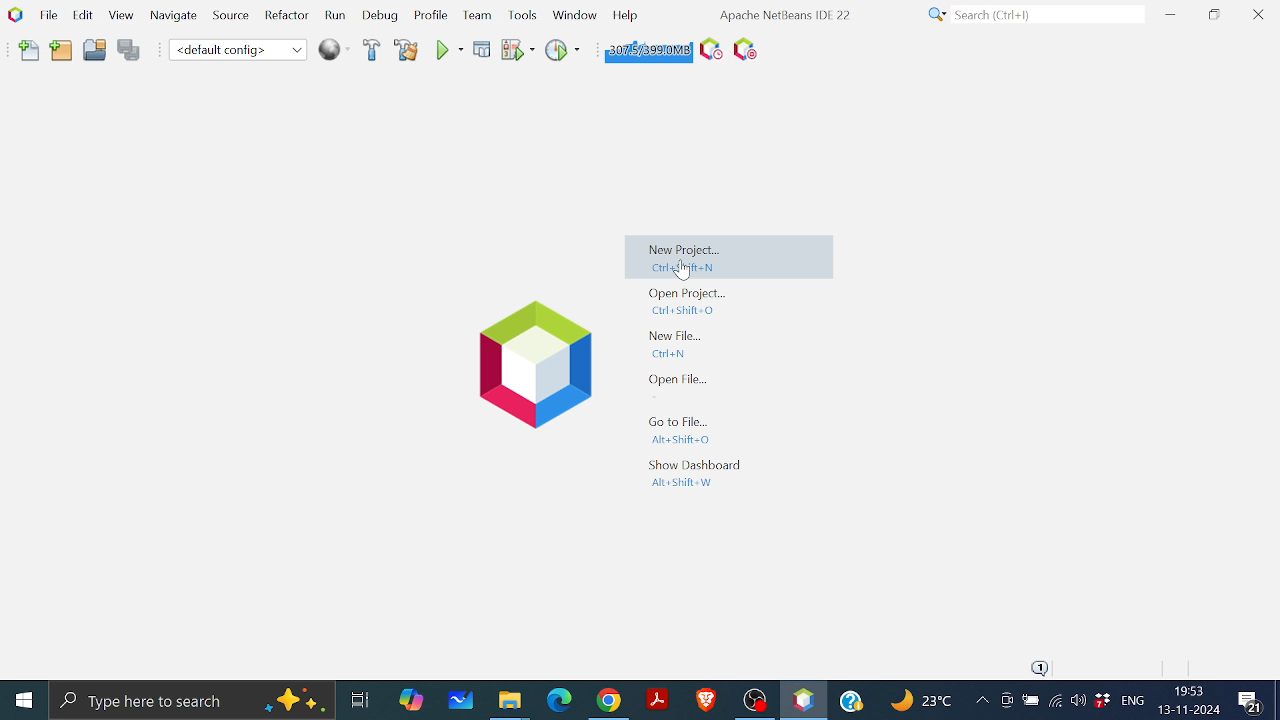 This screenshot has width=1280, height=720. What do you see at coordinates (463, 699) in the screenshot?
I see `White board` at bounding box center [463, 699].